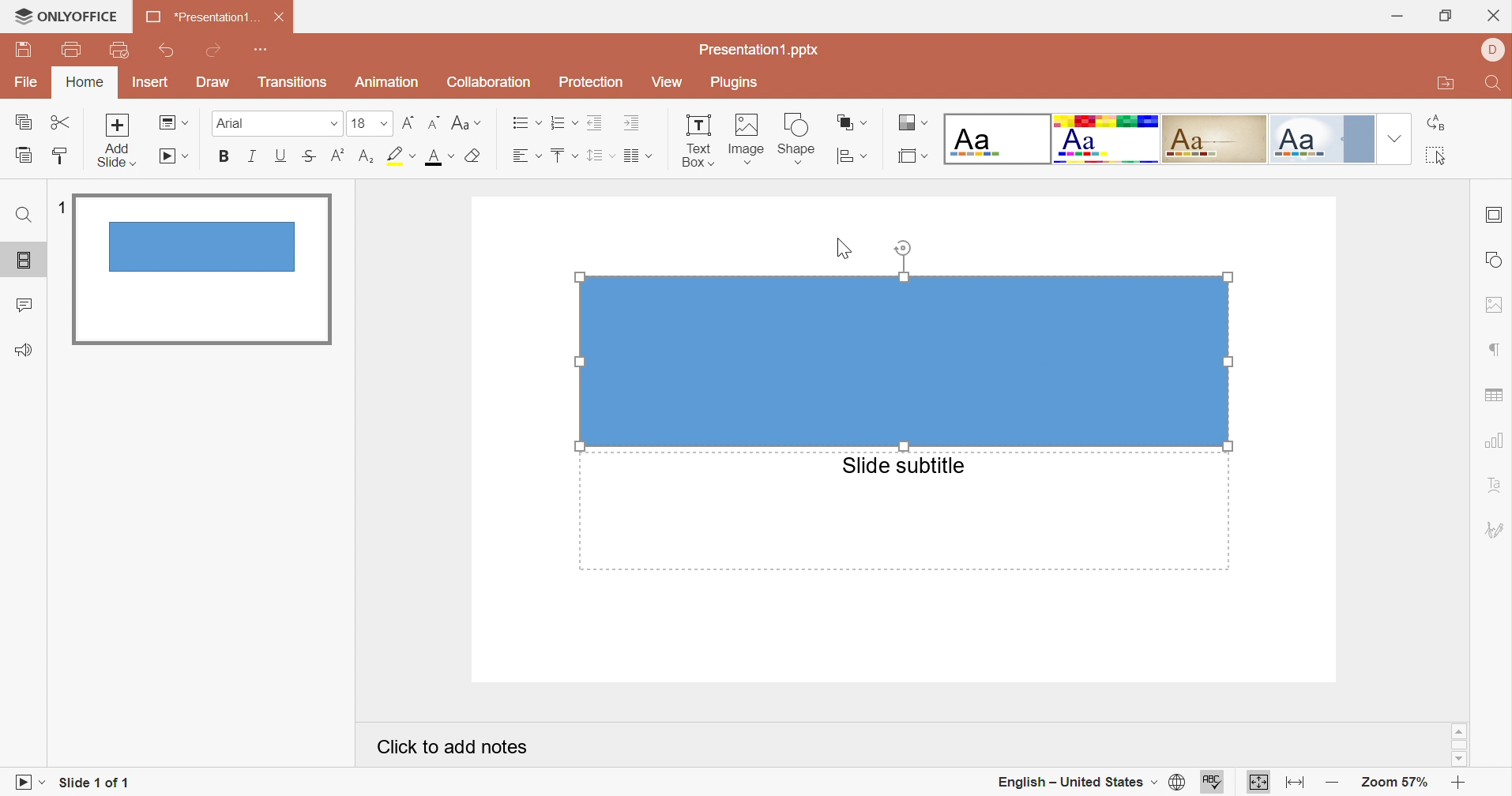 This screenshot has width=1512, height=796. Describe the element at coordinates (200, 269) in the screenshot. I see `Slide` at that location.